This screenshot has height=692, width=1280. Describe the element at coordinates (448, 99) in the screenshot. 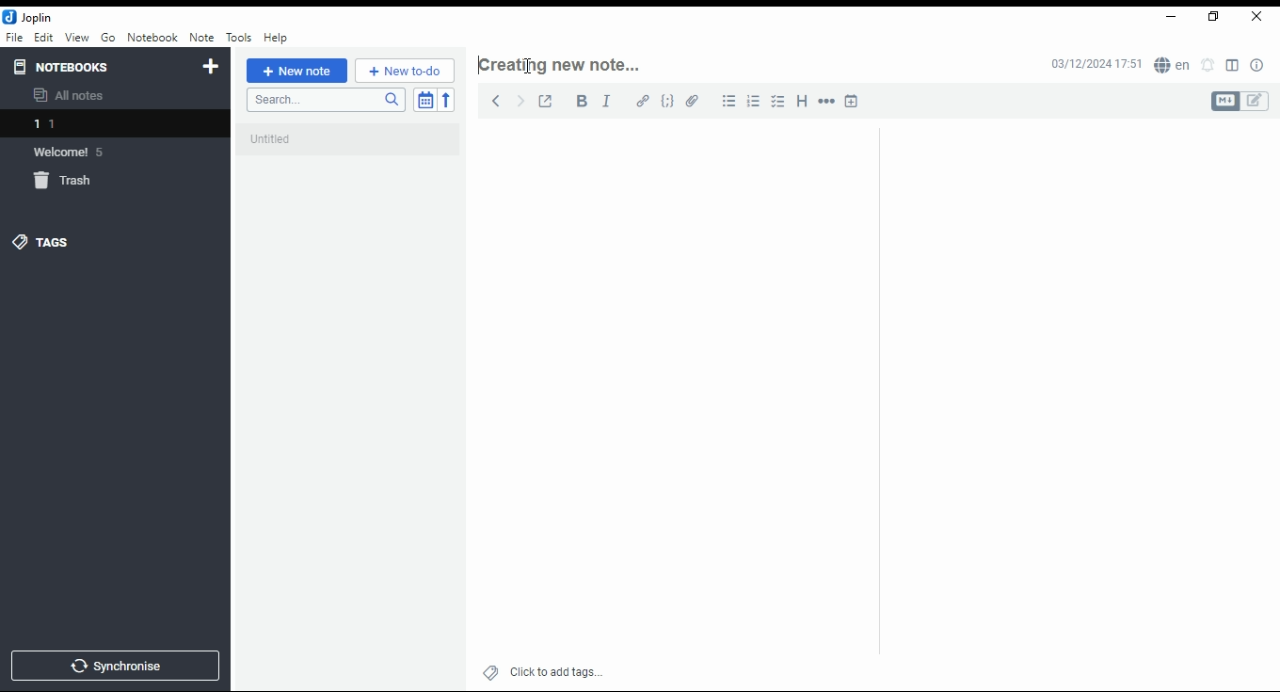

I see `reverse sort order` at that location.